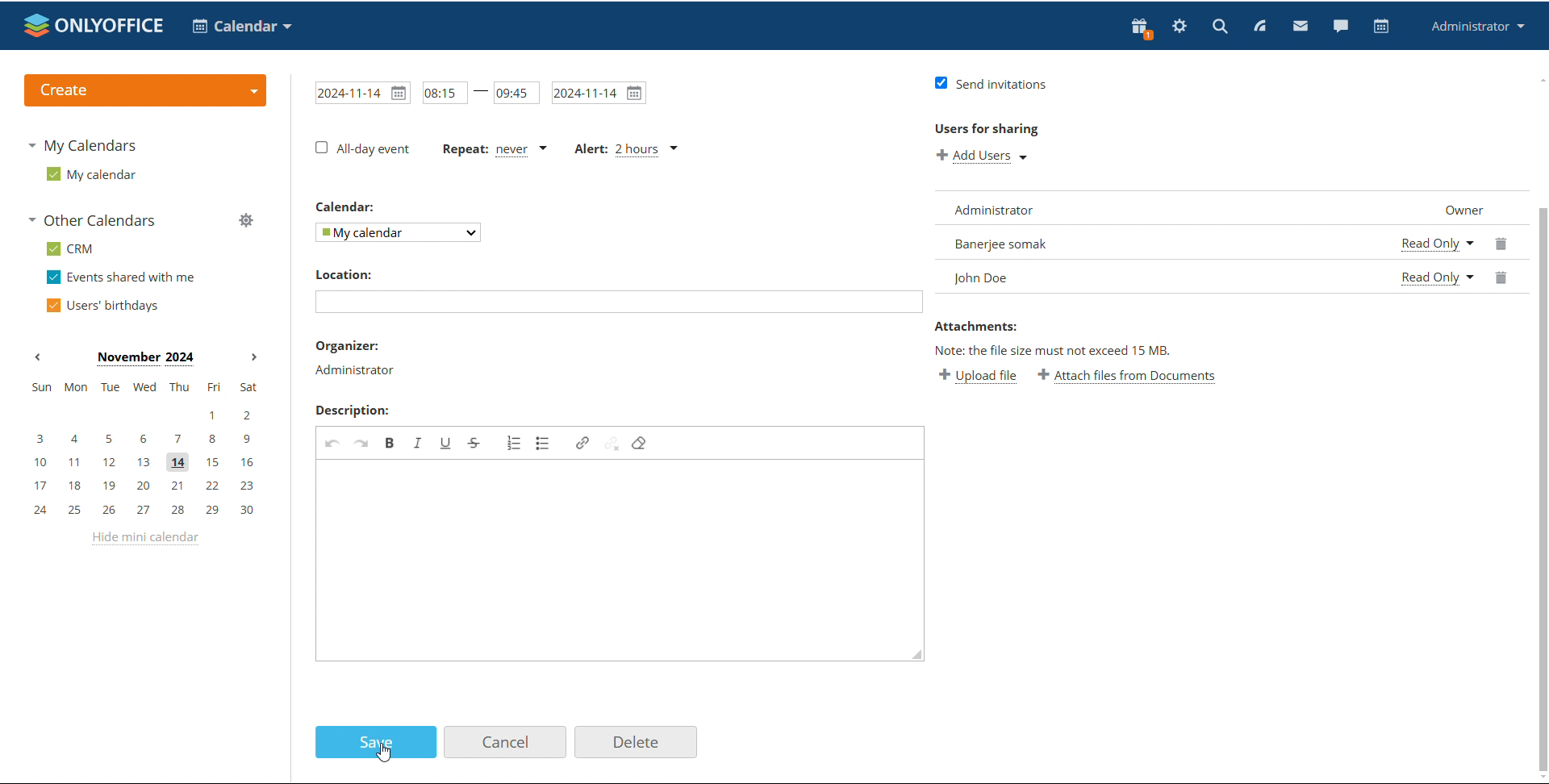 This screenshot has width=1549, height=784. Describe the element at coordinates (140, 416) in the screenshot. I see `1, 2` at that location.